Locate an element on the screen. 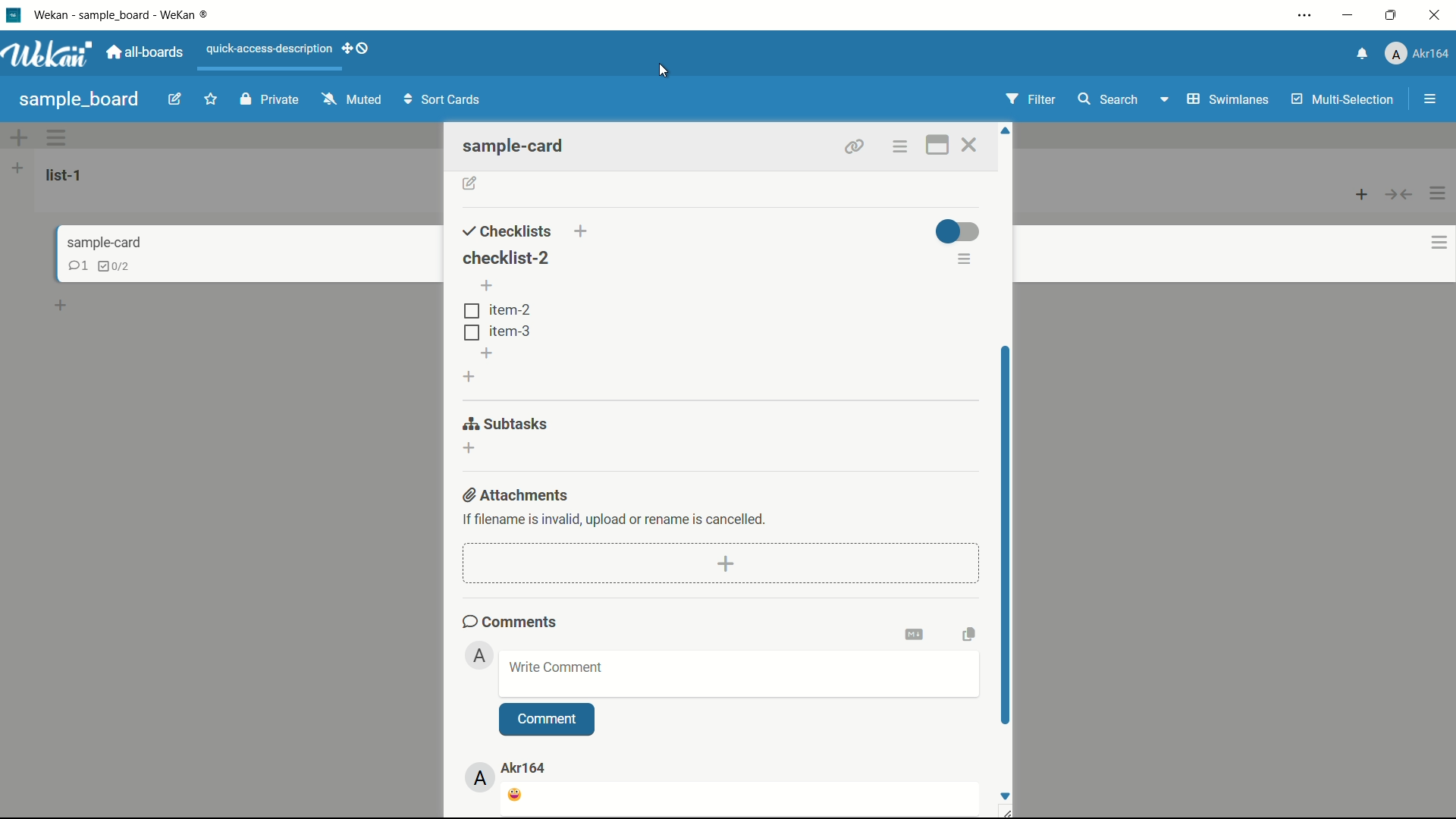 This screenshot has height=819, width=1456. search is located at coordinates (1109, 99).